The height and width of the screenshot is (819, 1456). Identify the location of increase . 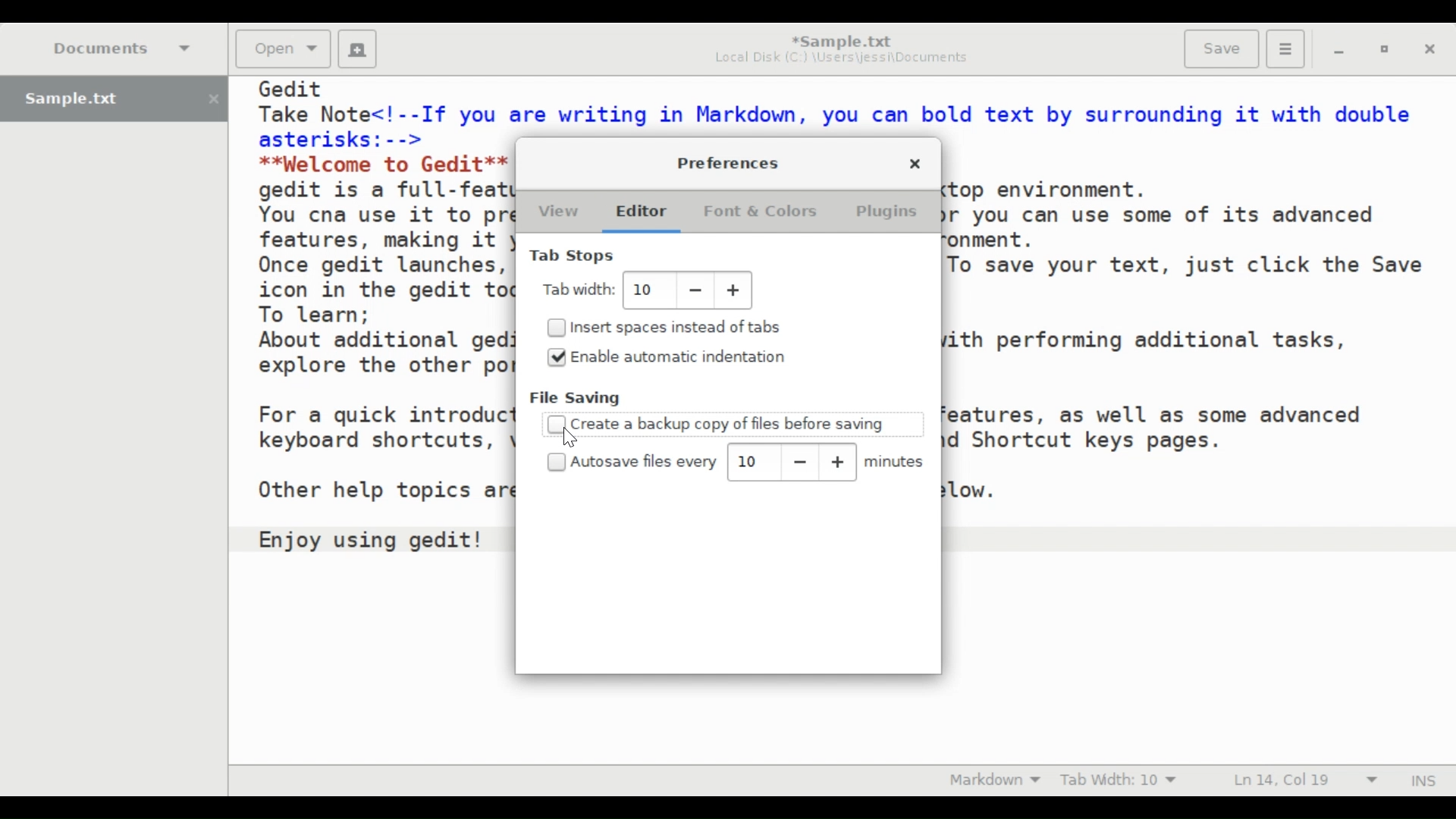
(734, 291).